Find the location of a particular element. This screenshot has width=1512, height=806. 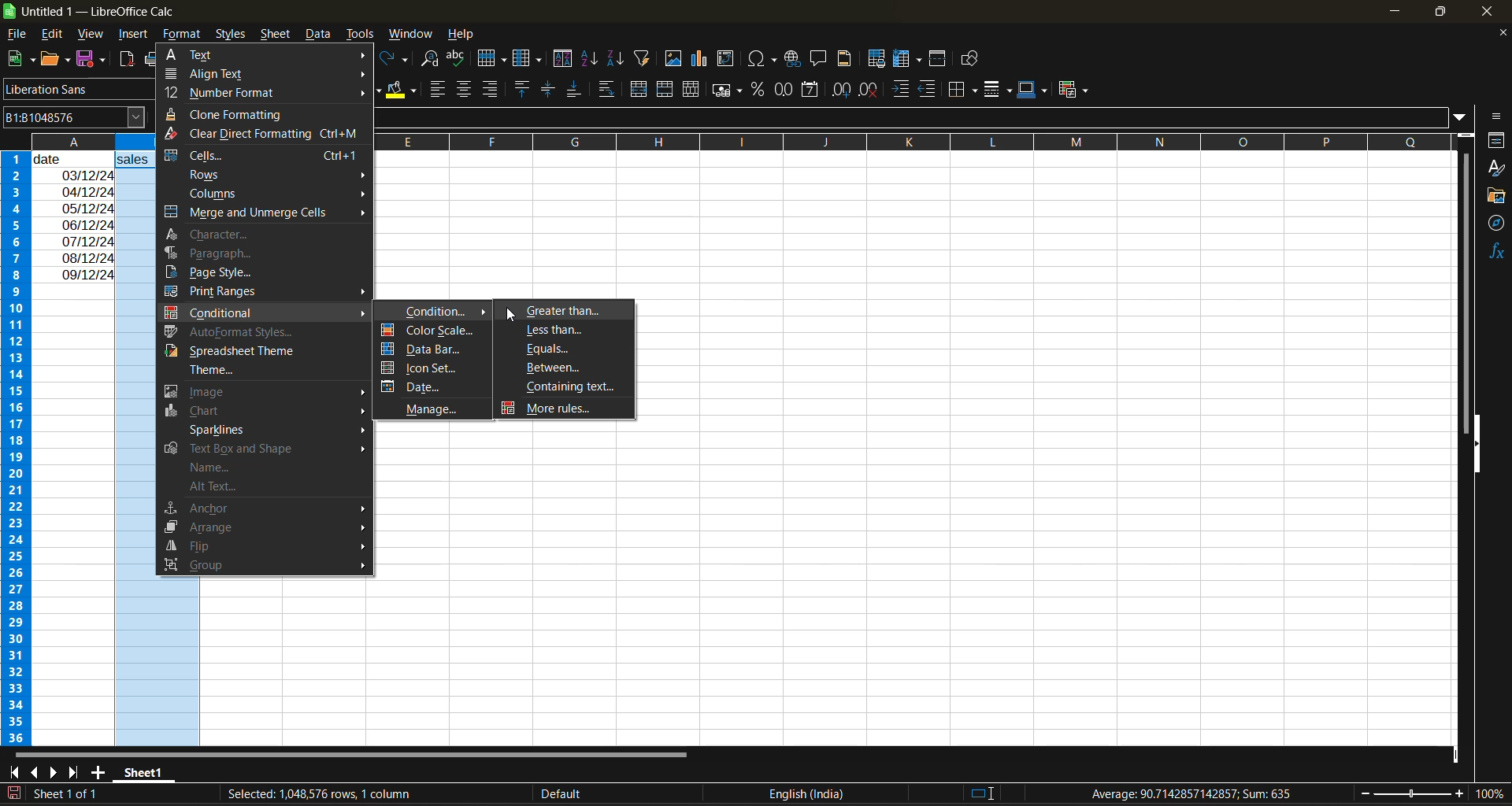

print is located at coordinates (151, 60).